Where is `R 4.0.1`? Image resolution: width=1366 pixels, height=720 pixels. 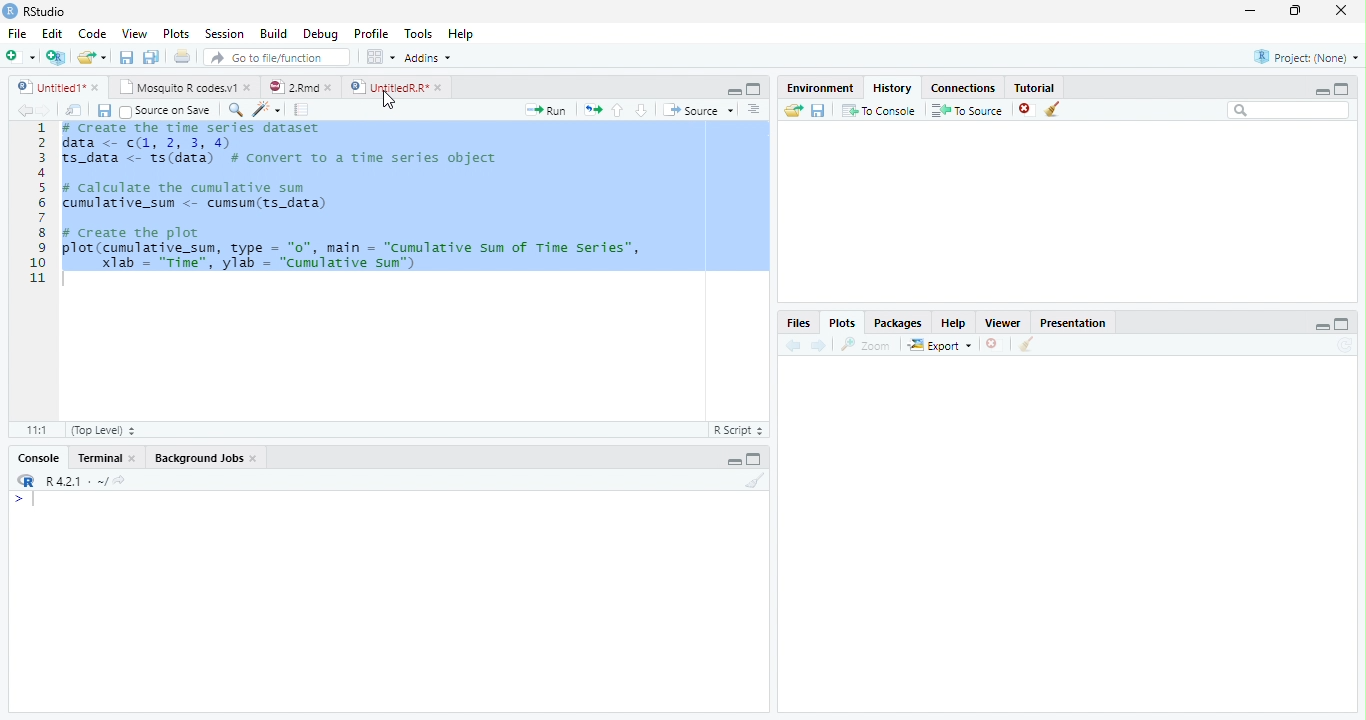
R 4.0.1 is located at coordinates (78, 479).